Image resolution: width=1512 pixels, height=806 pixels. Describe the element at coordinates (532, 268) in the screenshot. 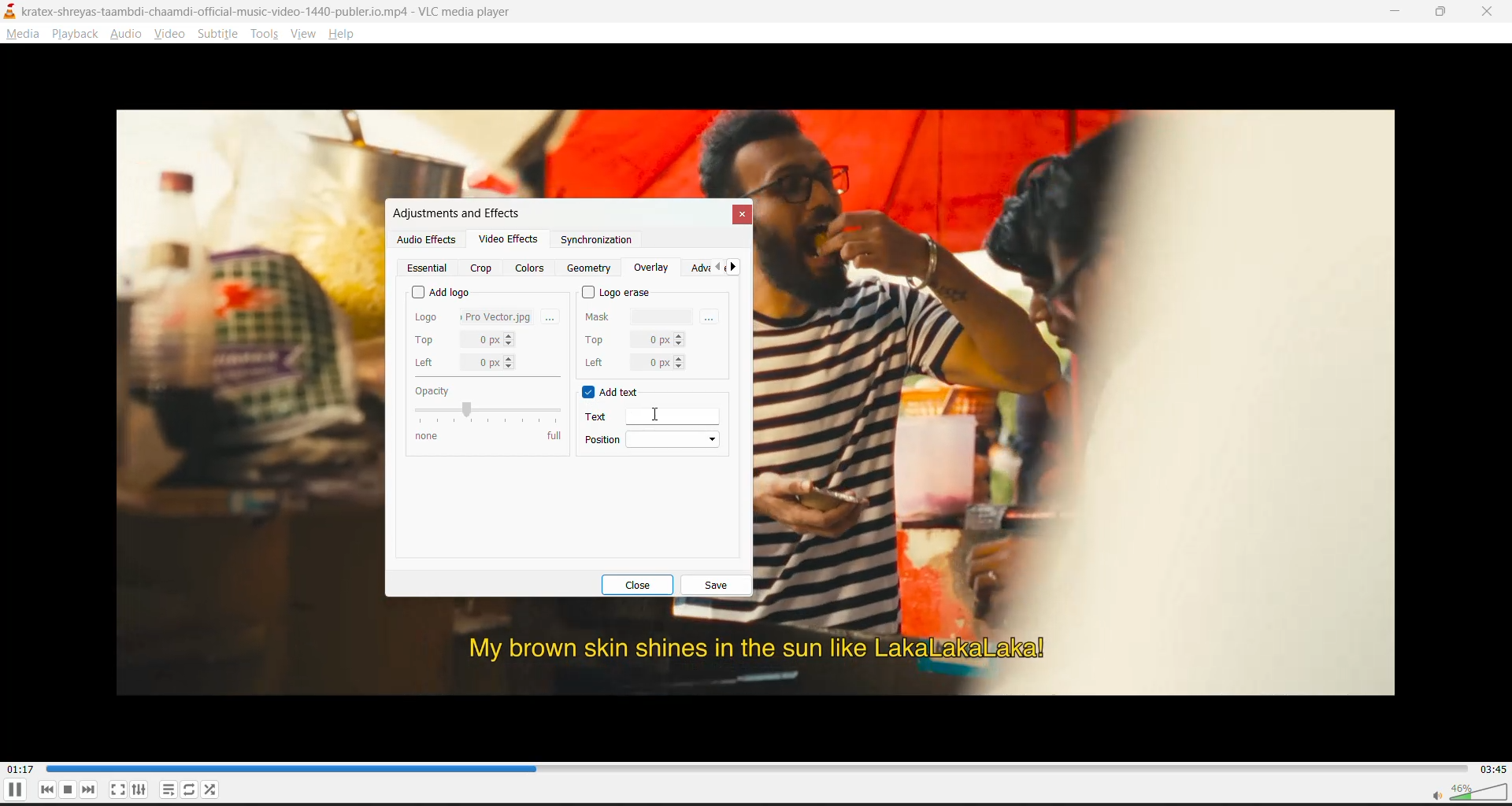

I see `colors` at that location.